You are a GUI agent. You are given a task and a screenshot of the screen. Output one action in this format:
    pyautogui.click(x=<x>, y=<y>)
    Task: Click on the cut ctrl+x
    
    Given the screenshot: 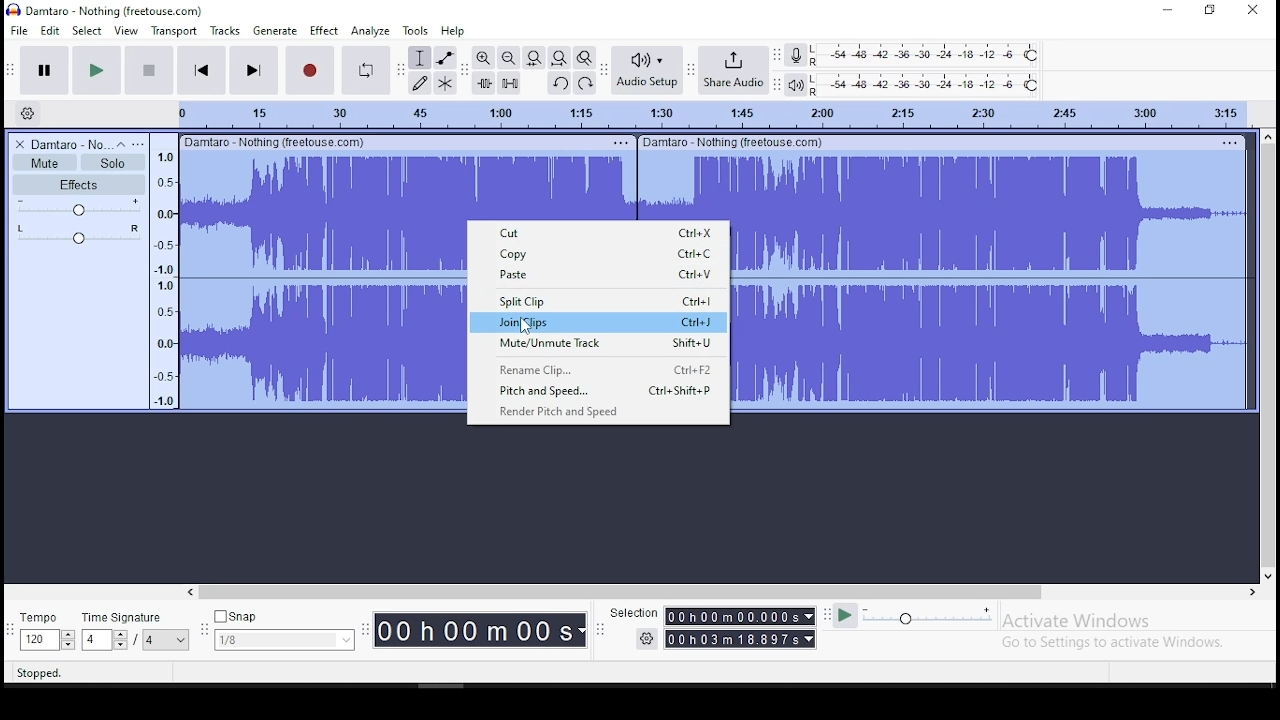 What is the action you would take?
    pyautogui.click(x=606, y=233)
    